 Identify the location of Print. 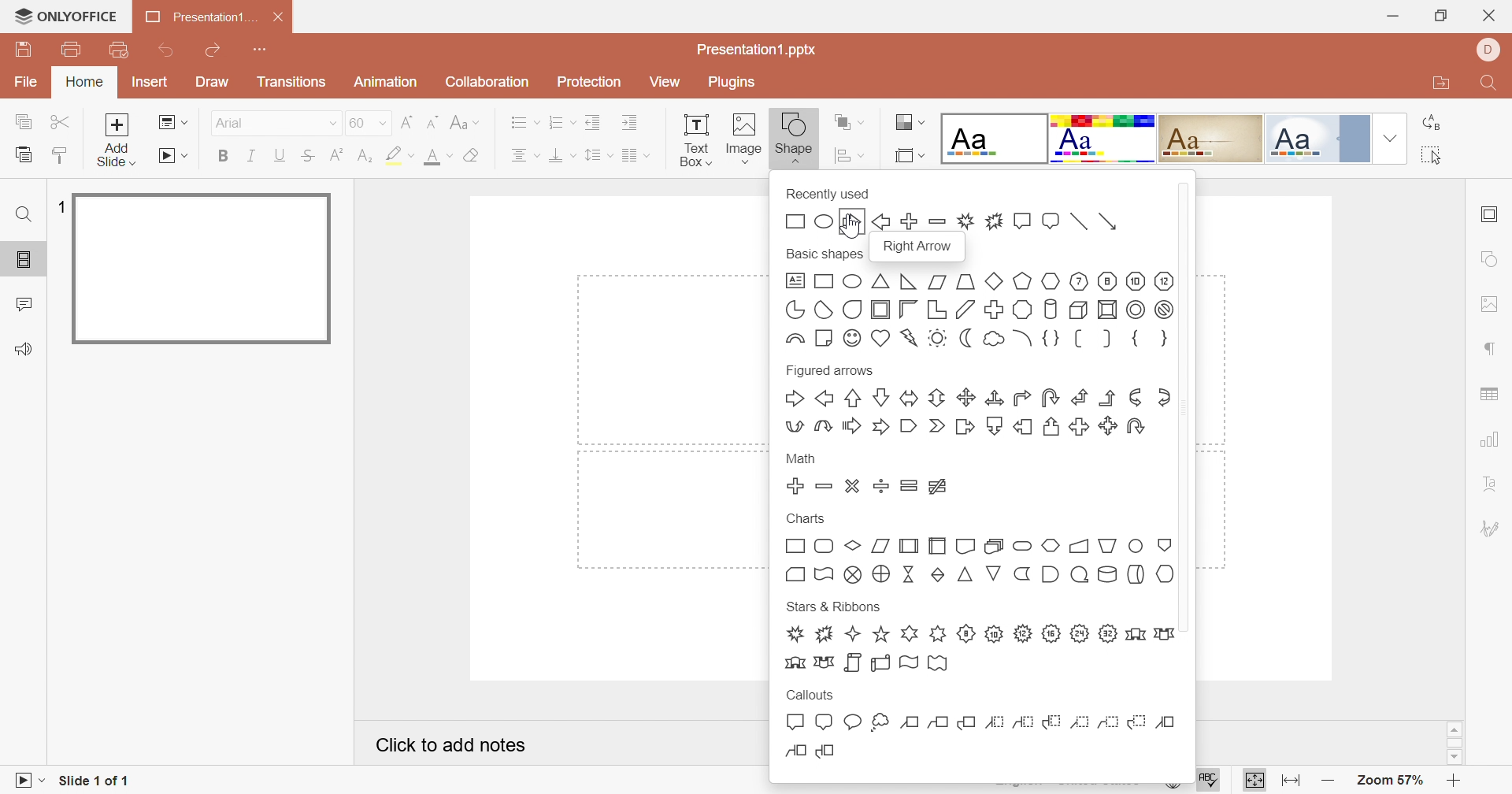
(72, 50).